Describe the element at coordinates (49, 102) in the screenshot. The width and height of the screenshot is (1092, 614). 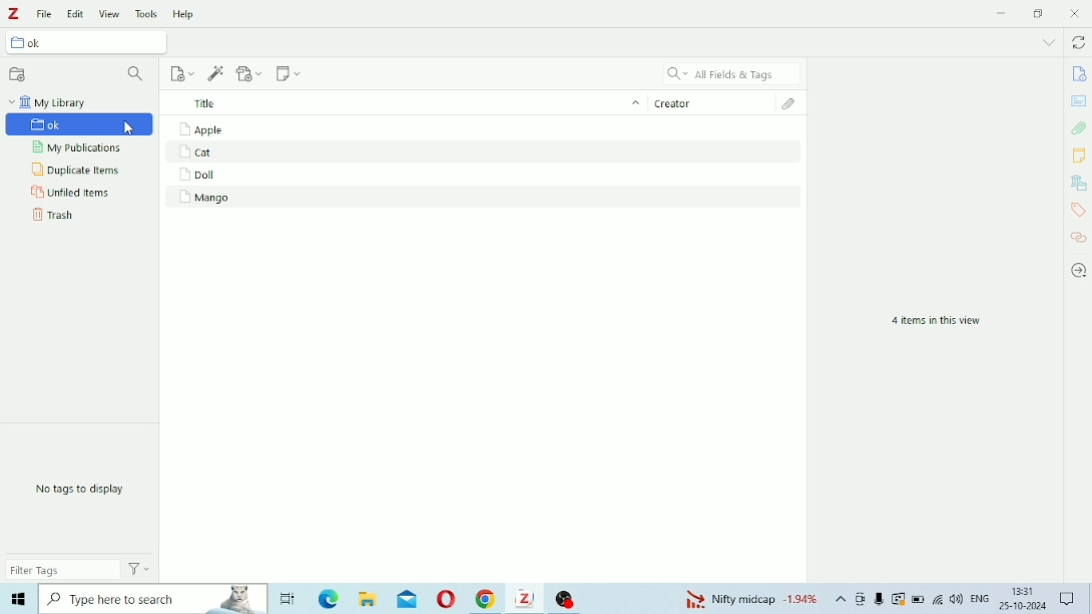
I see `My Library` at that location.